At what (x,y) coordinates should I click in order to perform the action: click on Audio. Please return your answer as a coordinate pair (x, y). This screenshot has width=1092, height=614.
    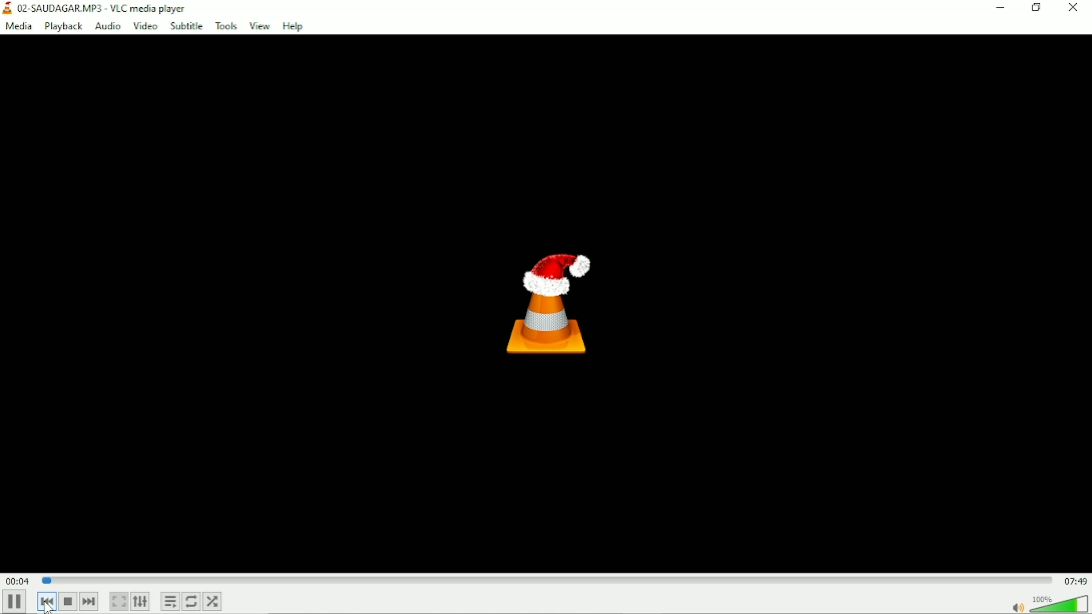
    Looking at the image, I should click on (106, 26).